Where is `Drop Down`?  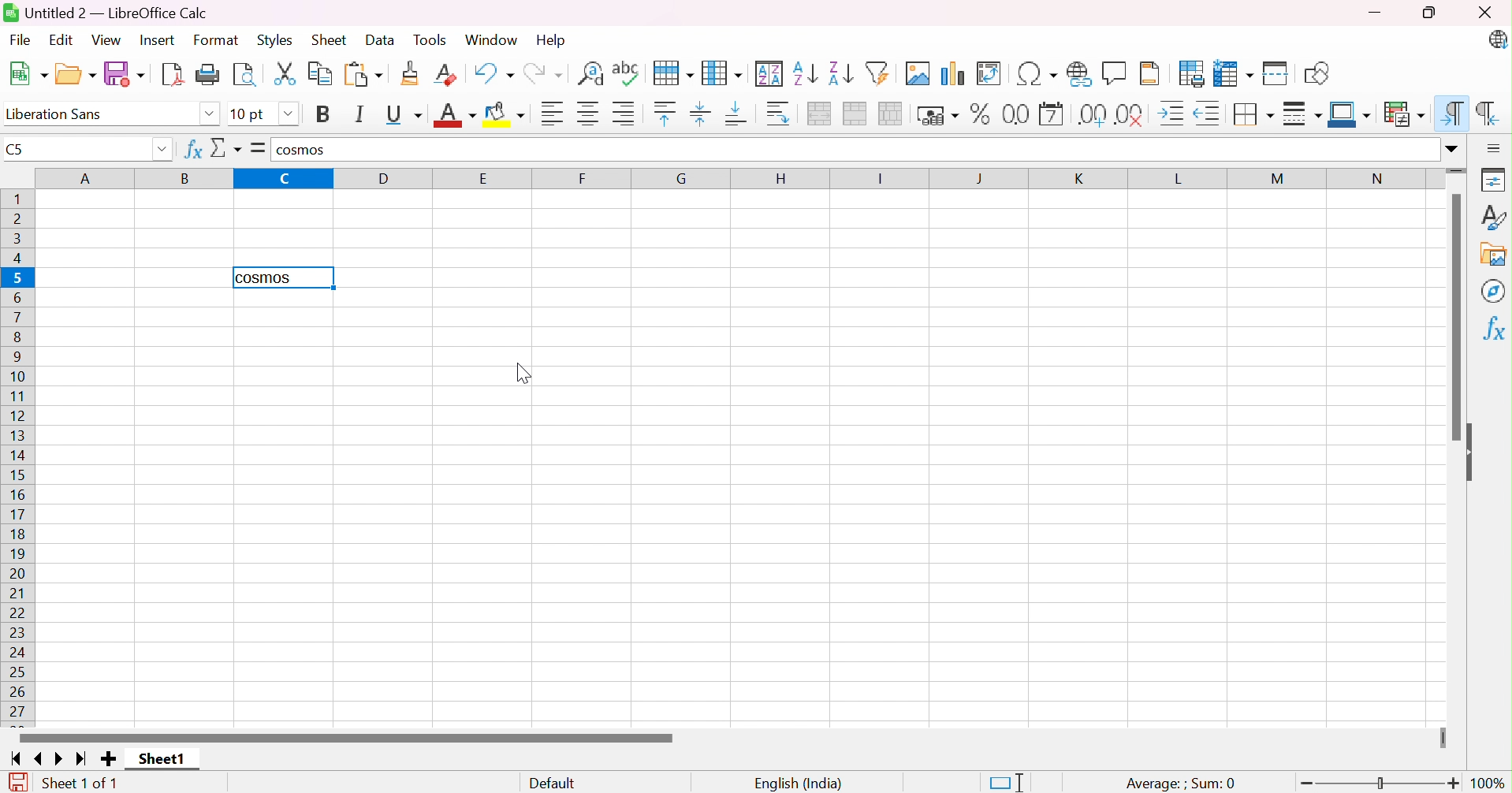
Drop Down is located at coordinates (1452, 146).